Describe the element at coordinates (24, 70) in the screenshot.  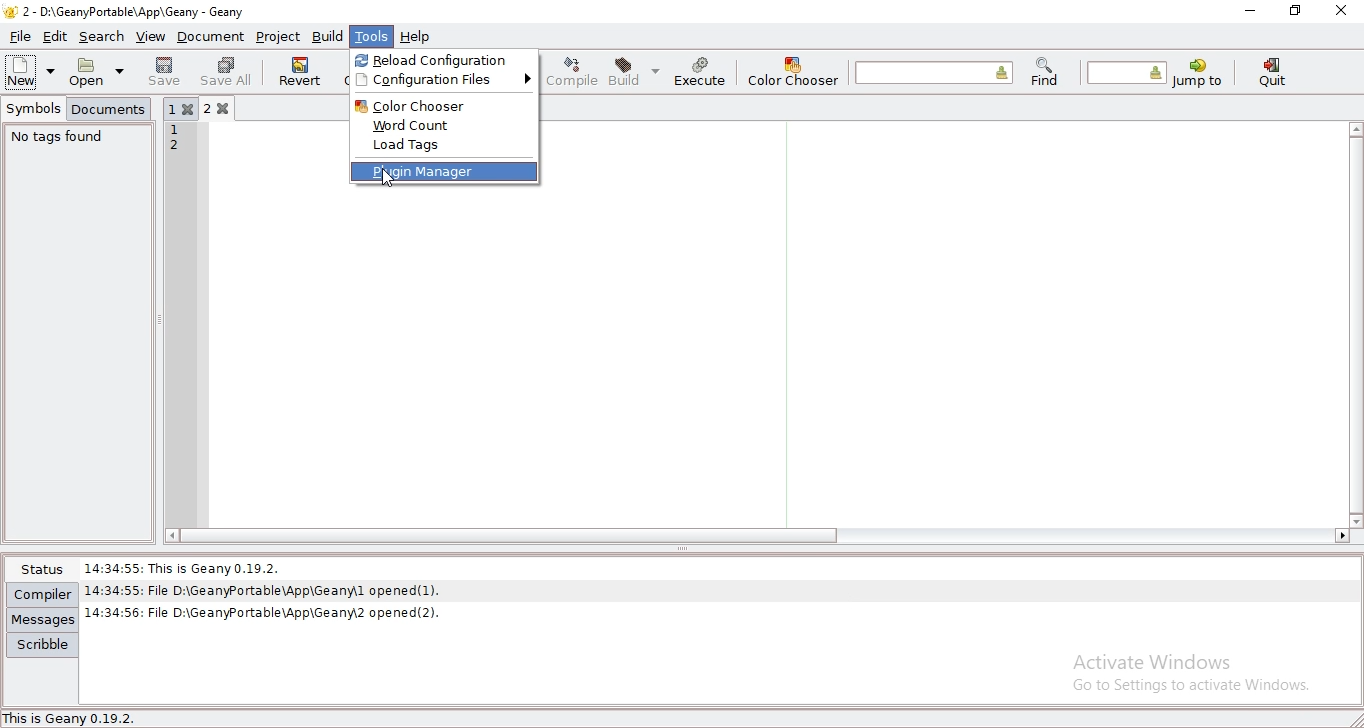
I see `new` at that location.